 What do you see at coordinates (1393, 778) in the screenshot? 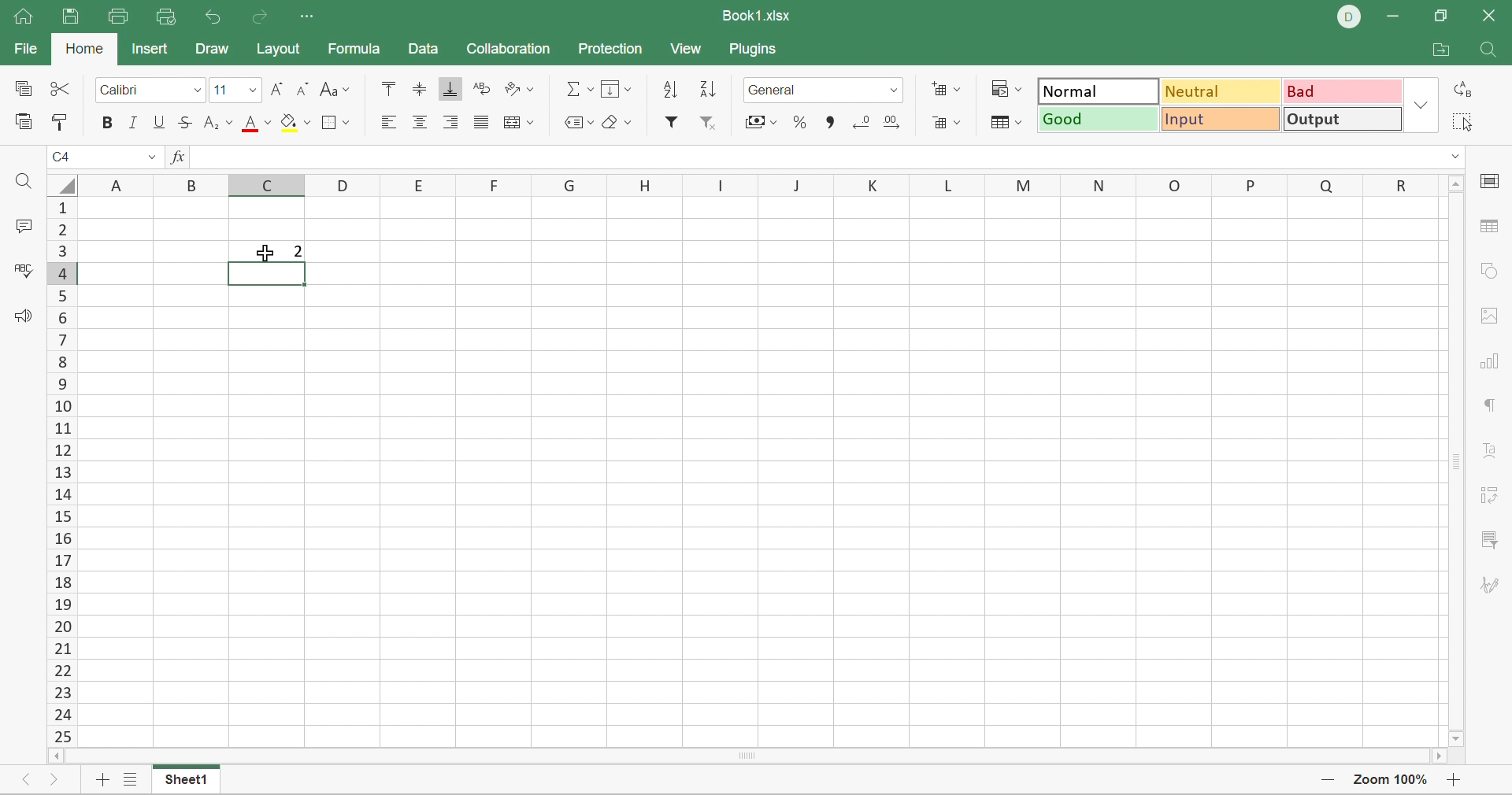
I see `Zoom 100%` at bounding box center [1393, 778].